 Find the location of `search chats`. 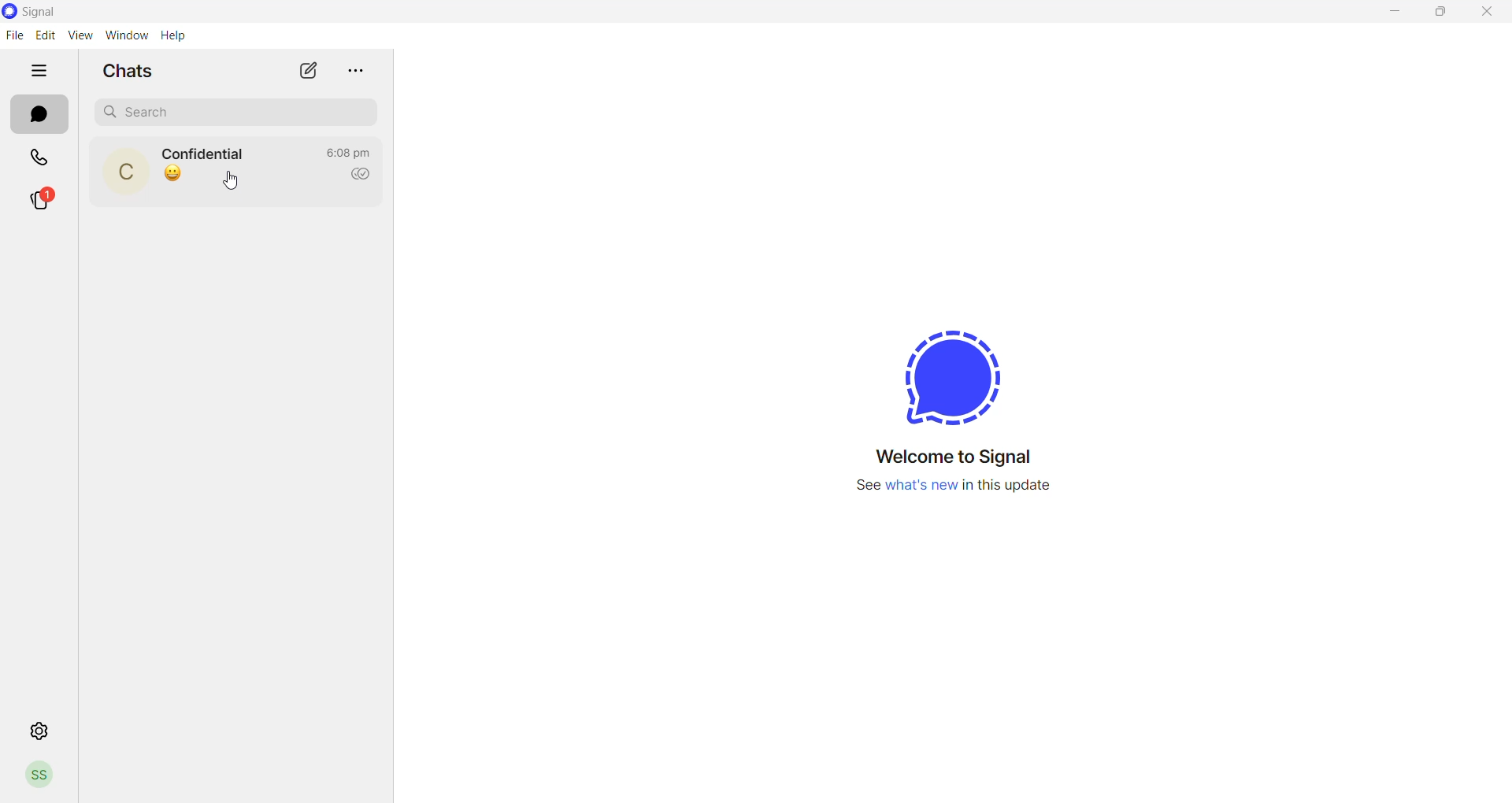

search chats is located at coordinates (231, 114).